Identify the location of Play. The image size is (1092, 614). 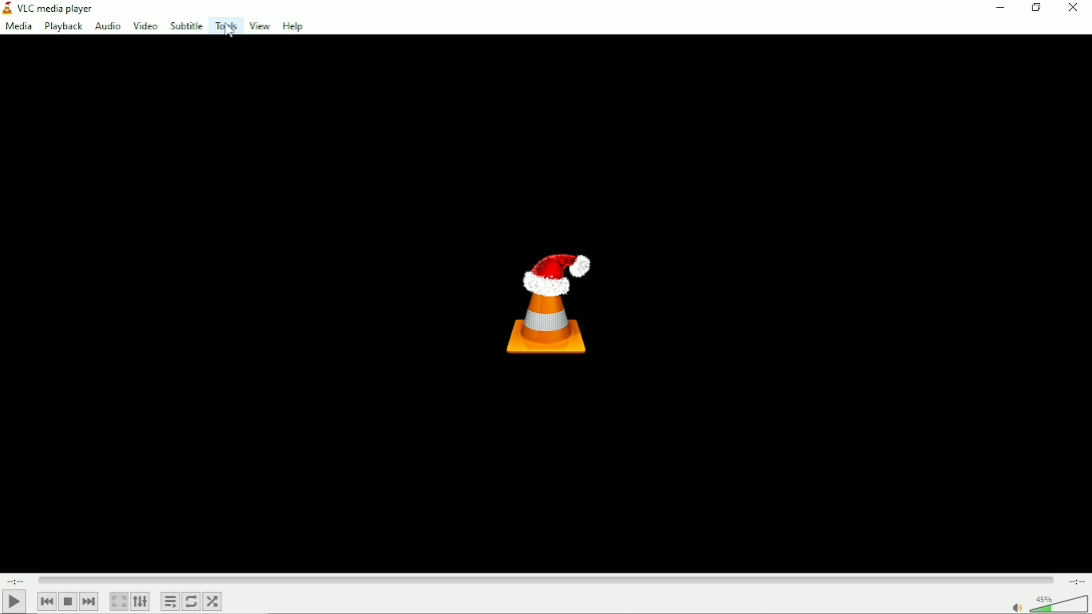
(14, 602).